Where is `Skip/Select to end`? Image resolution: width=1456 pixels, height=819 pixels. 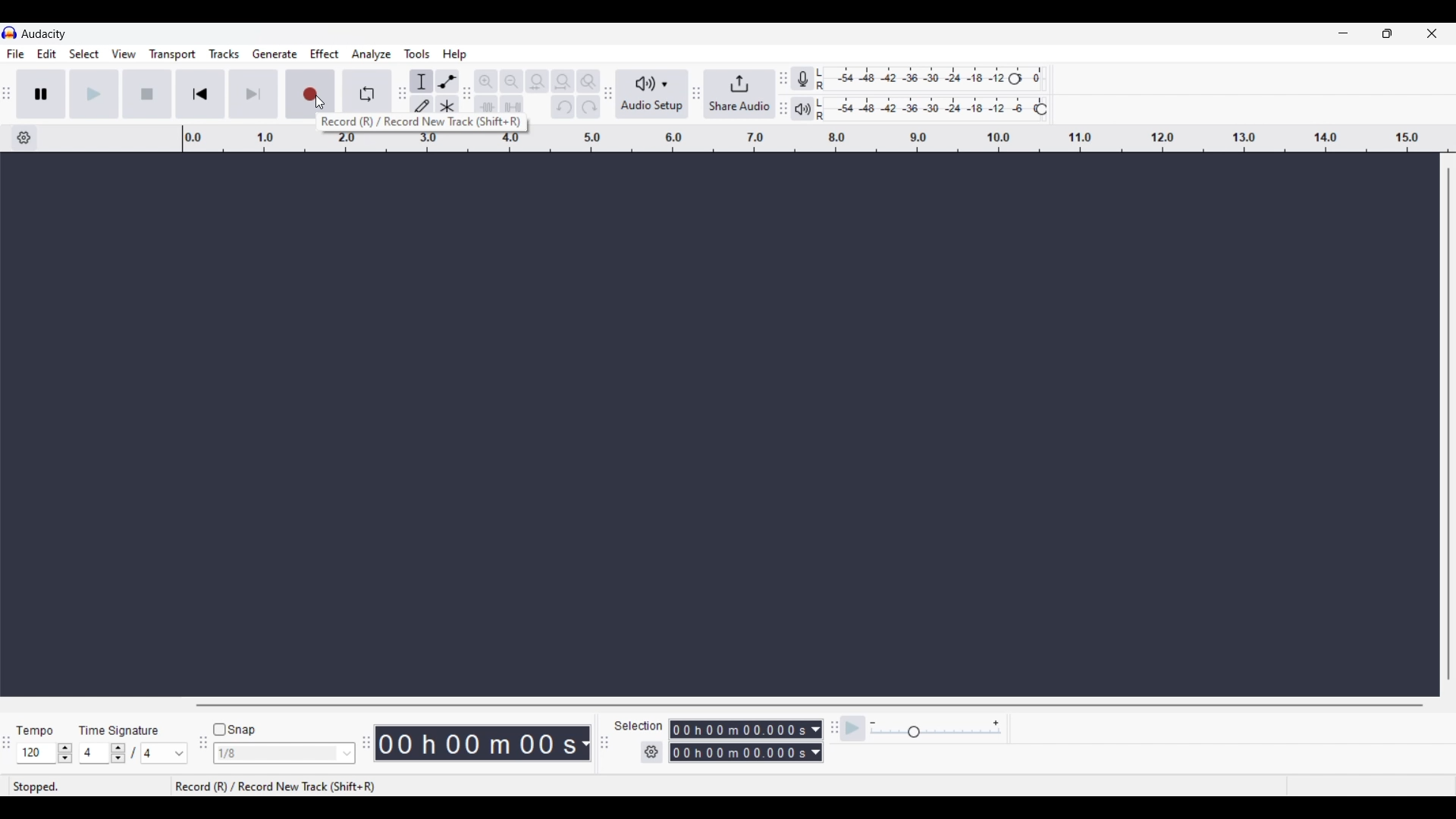 Skip/Select to end is located at coordinates (249, 94).